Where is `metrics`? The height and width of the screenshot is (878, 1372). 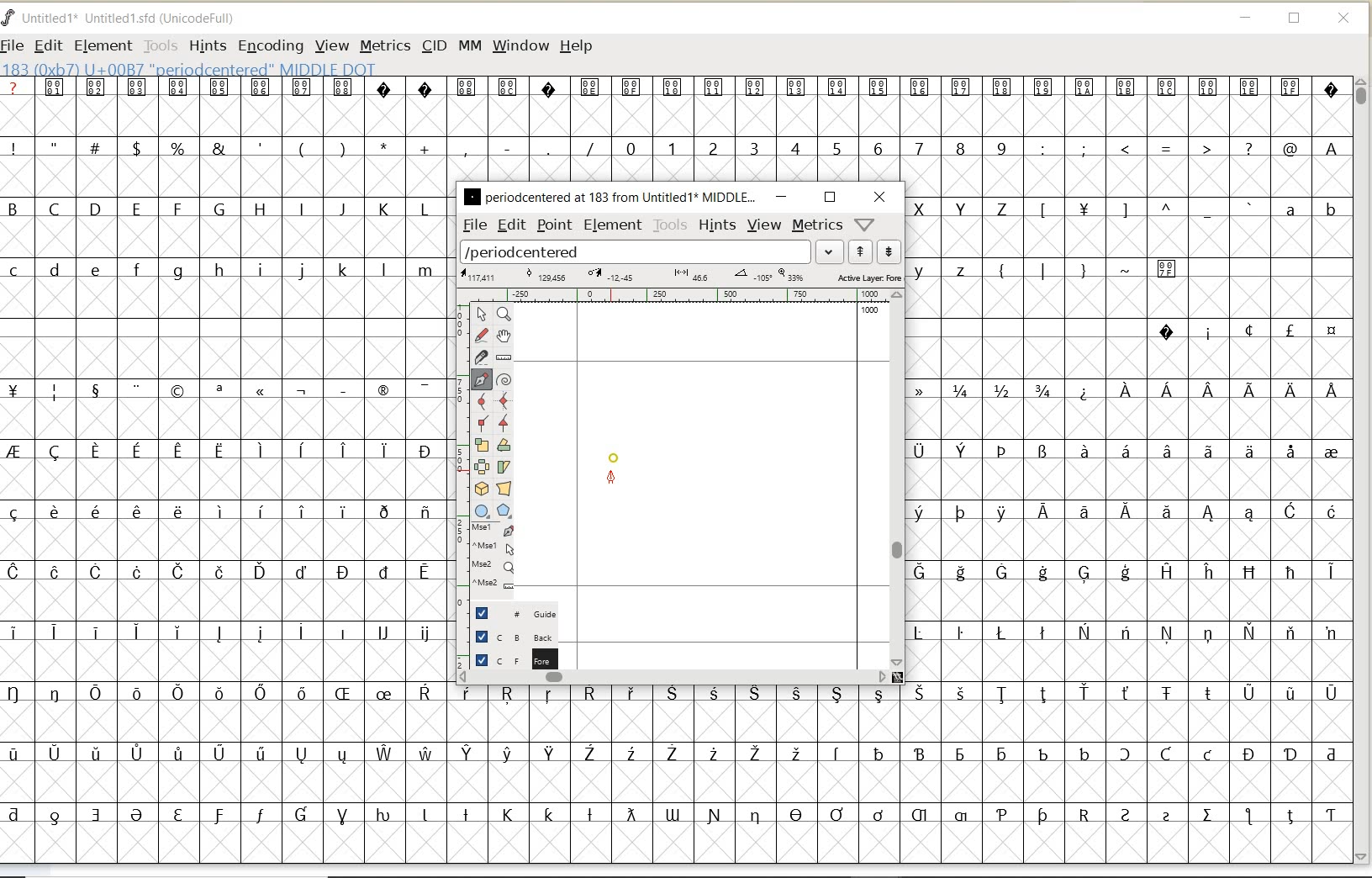 metrics is located at coordinates (818, 225).